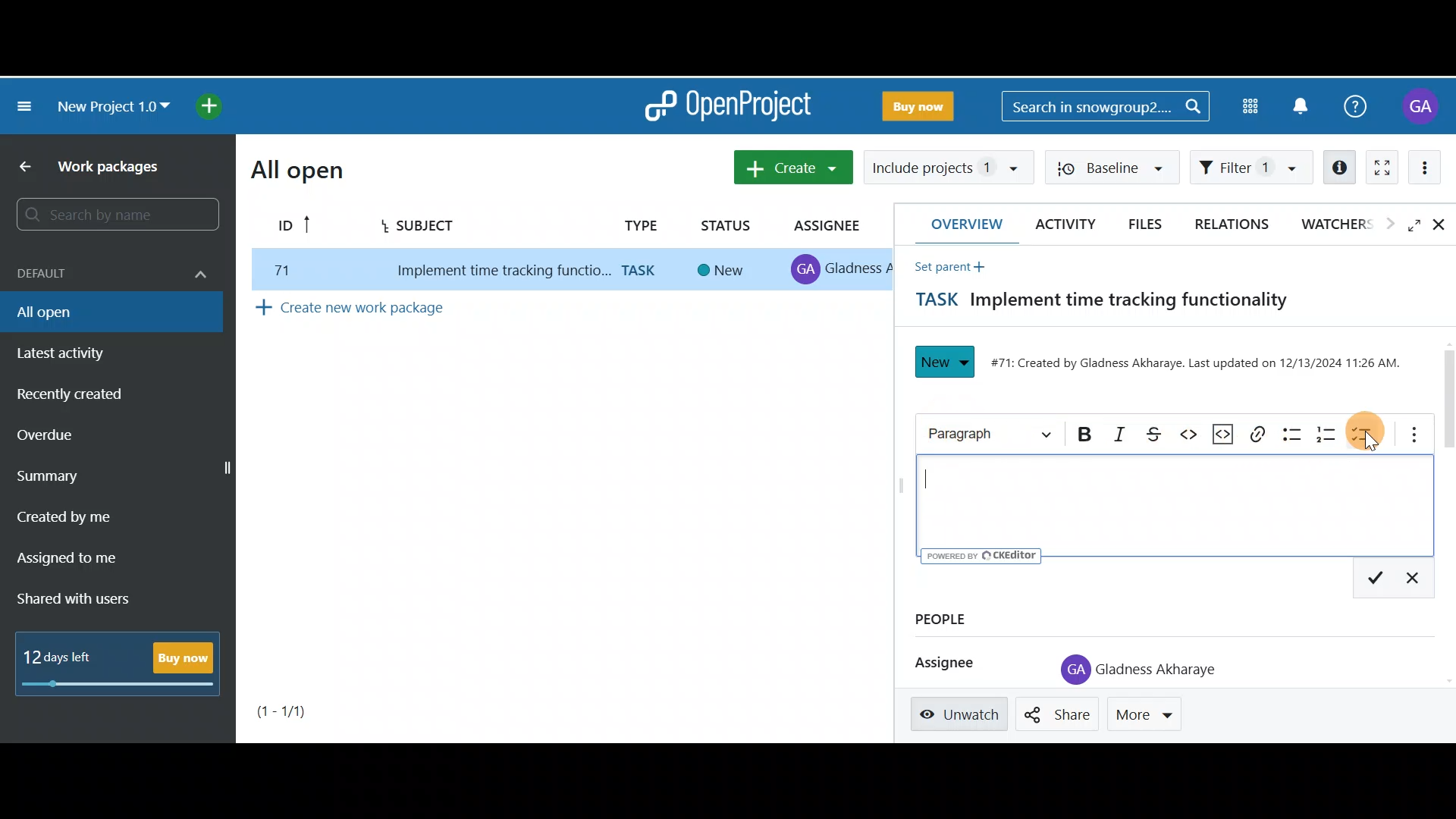 The height and width of the screenshot is (819, 1456). What do you see at coordinates (1254, 168) in the screenshot?
I see `Filter` at bounding box center [1254, 168].